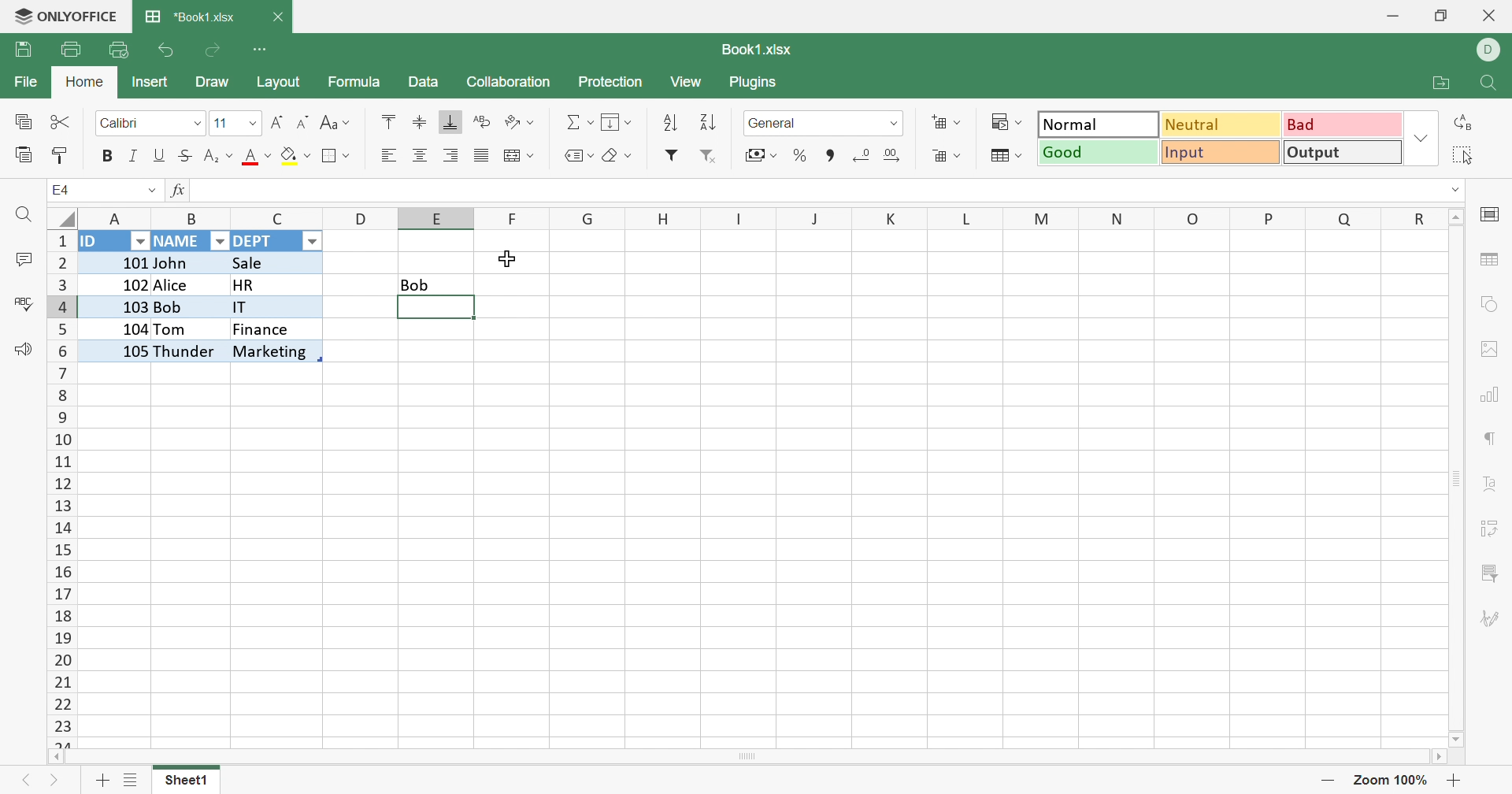 The width and height of the screenshot is (1512, 794). I want to click on Italic, so click(134, 157).